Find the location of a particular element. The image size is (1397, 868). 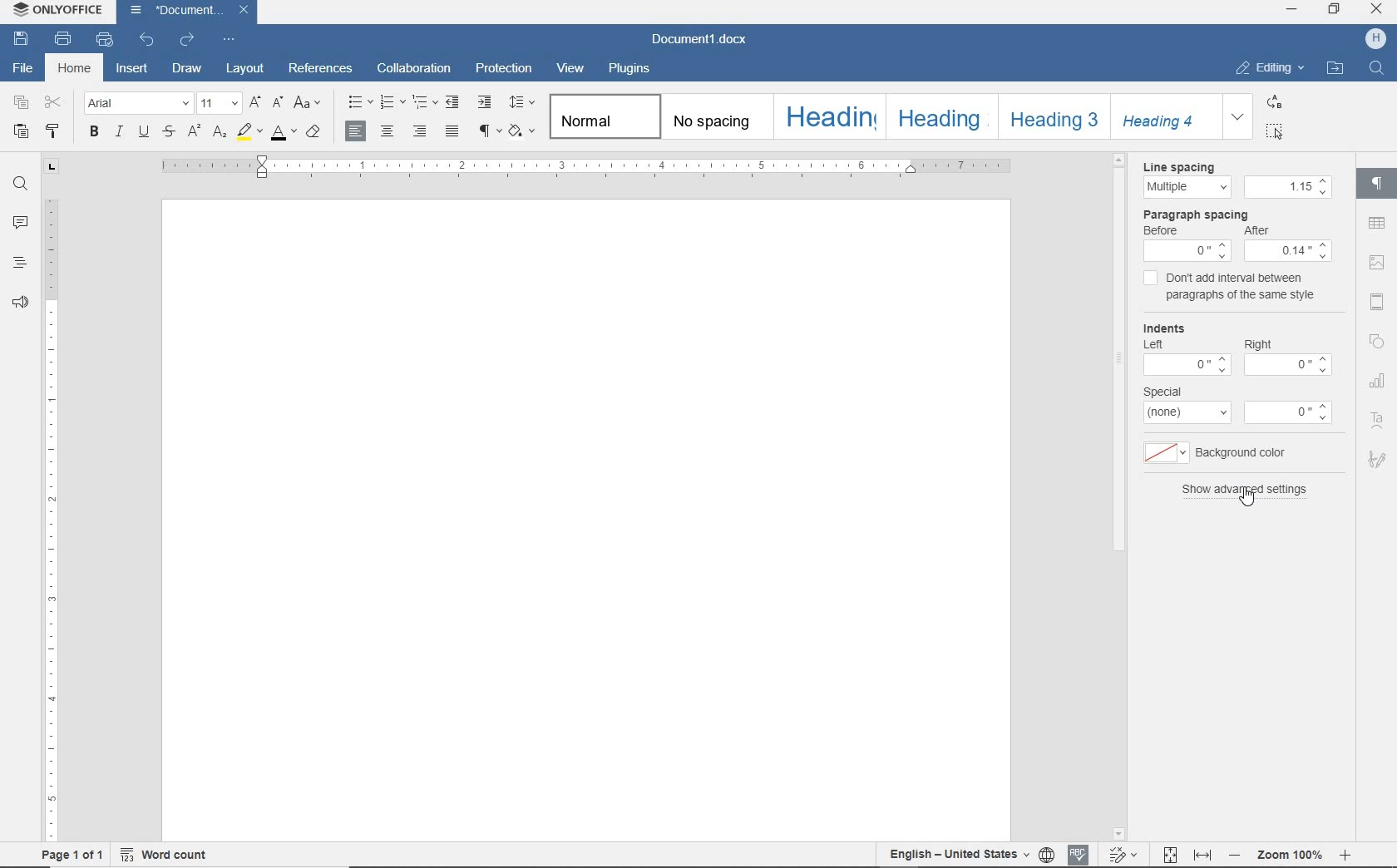

show advanced settings is located at coordinates (1244, 491).